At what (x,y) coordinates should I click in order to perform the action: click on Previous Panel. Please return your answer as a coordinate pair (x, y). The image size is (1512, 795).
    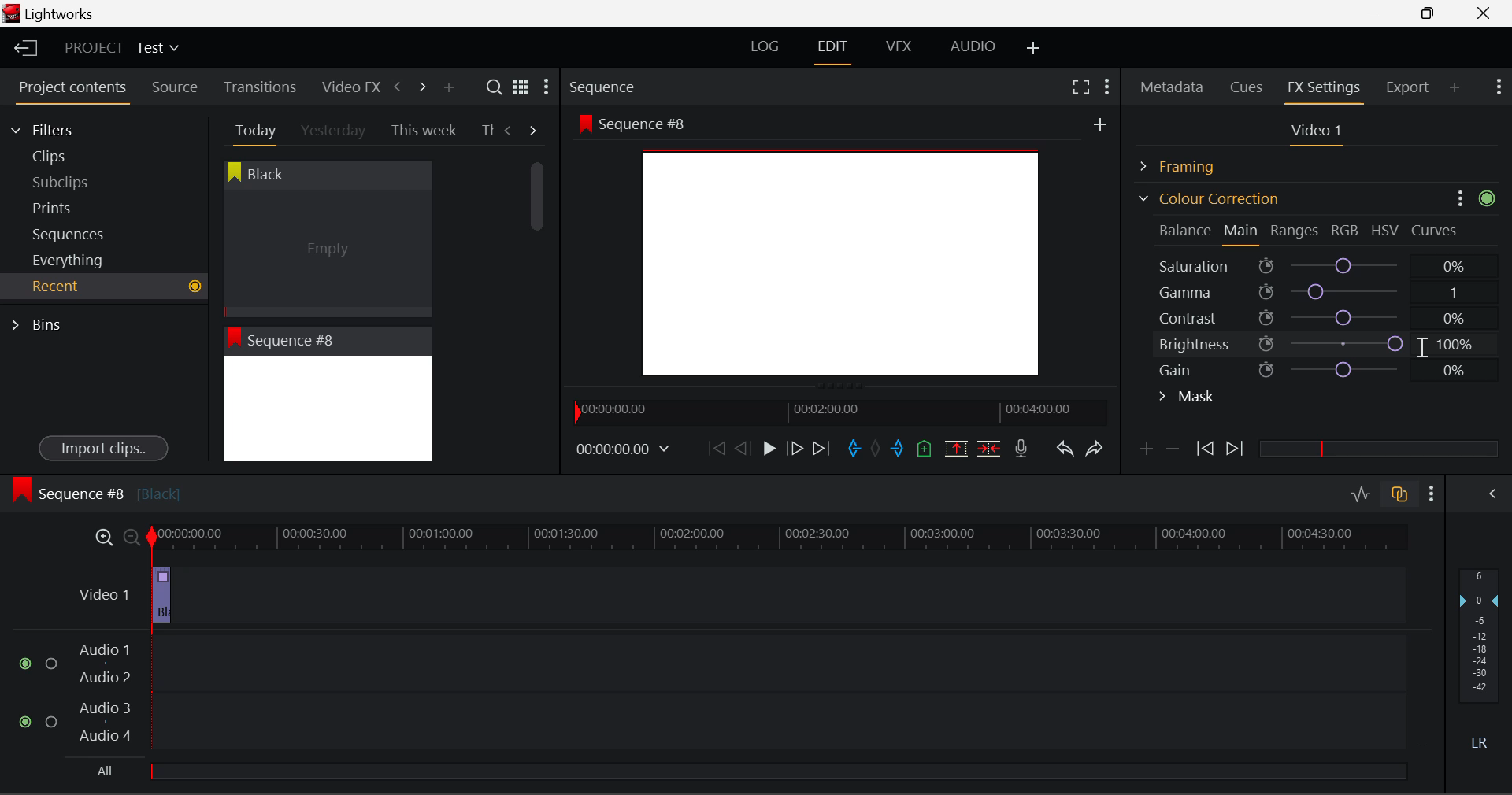
    Looking at the image, I should click on (397, 87).